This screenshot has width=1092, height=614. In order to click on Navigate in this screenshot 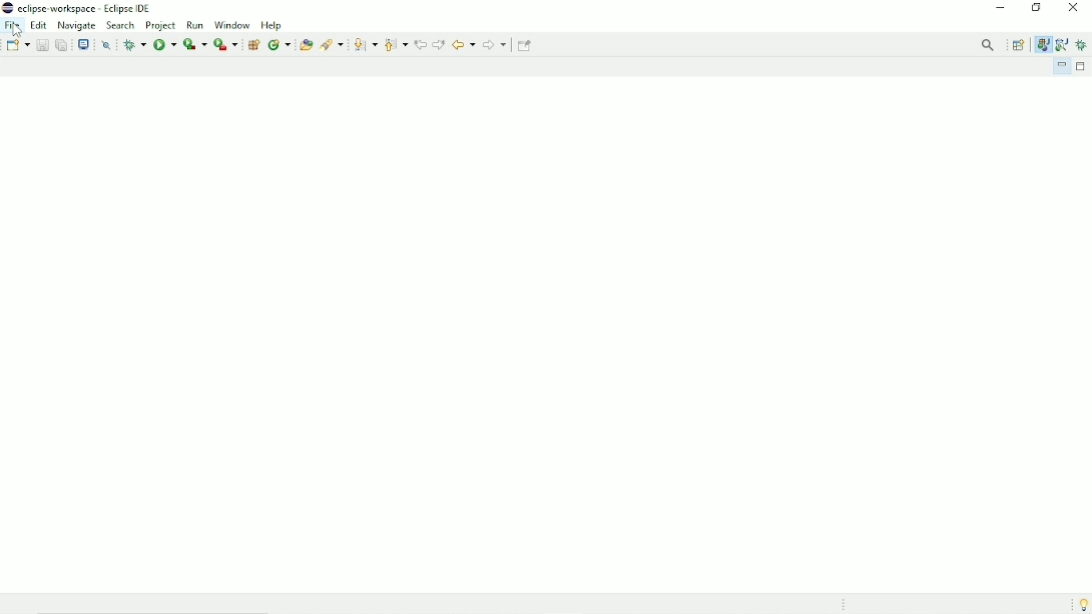, I will do `click(76, 25)`.